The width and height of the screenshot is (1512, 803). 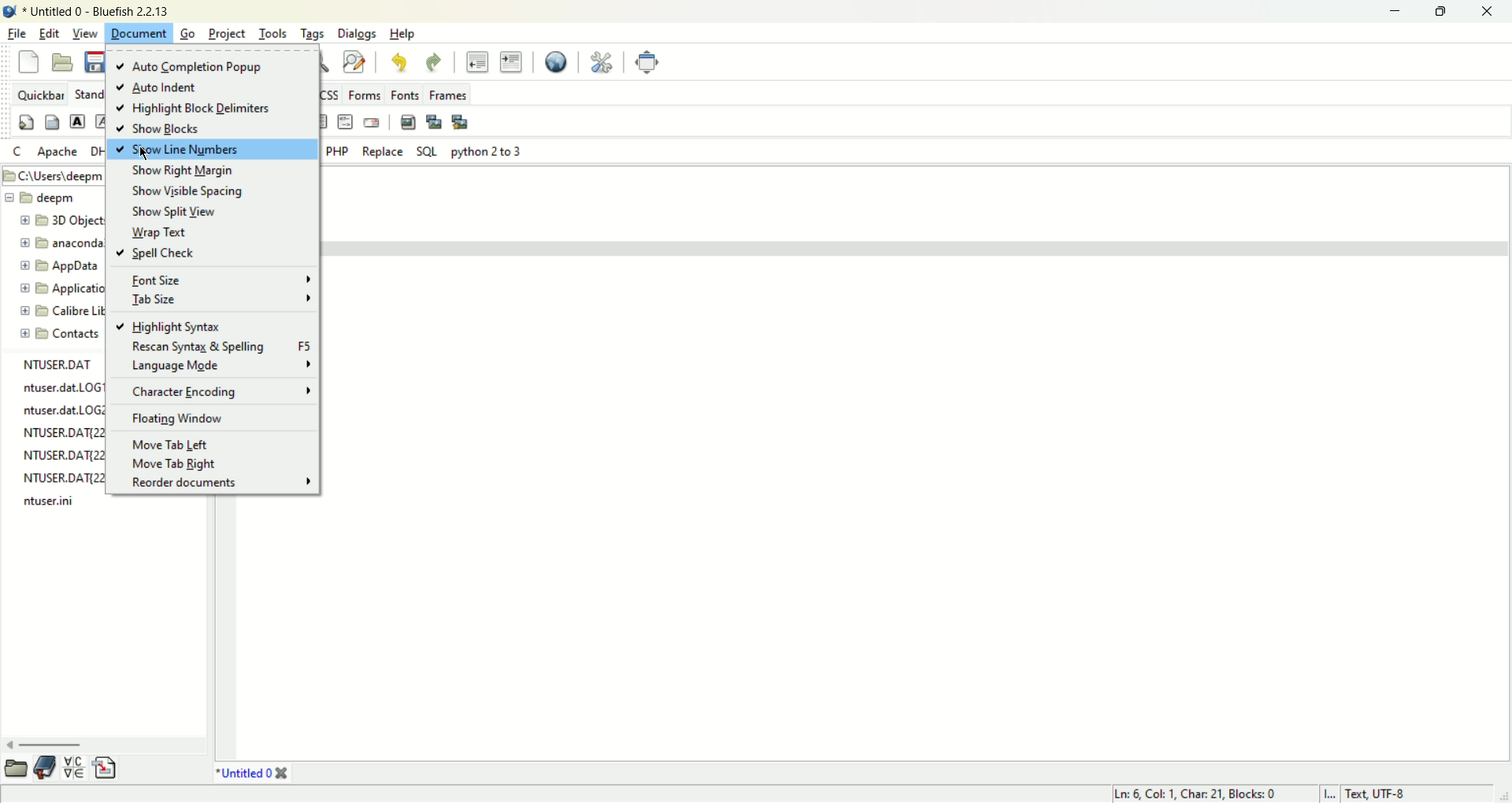 What do you see at coordinates (336, 150) in the screenshot?
I see `PHP` at bounding box center [336, 150].